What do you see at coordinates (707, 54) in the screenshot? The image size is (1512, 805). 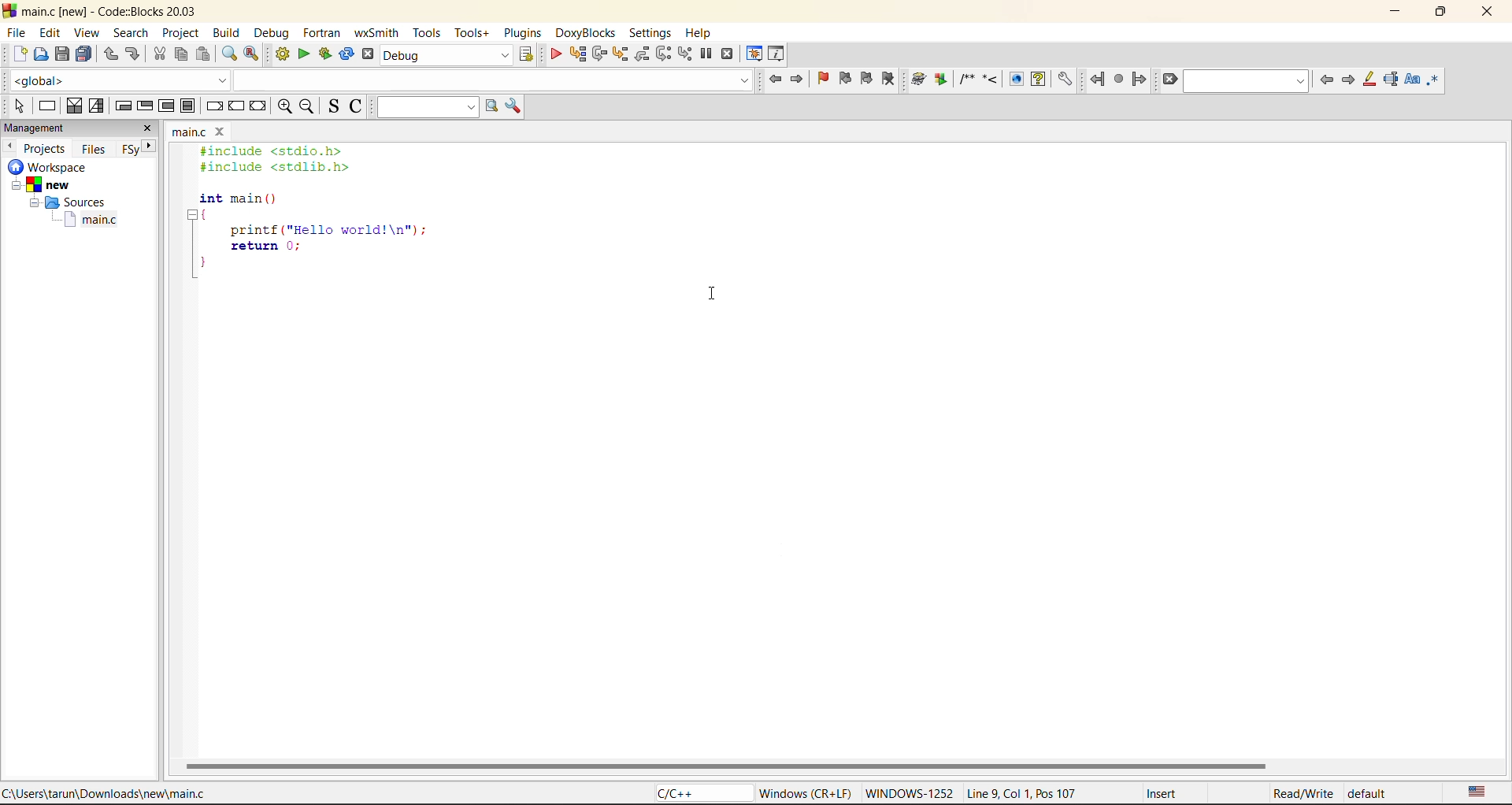 I see `break debugger` at bounding box center [707, 54].